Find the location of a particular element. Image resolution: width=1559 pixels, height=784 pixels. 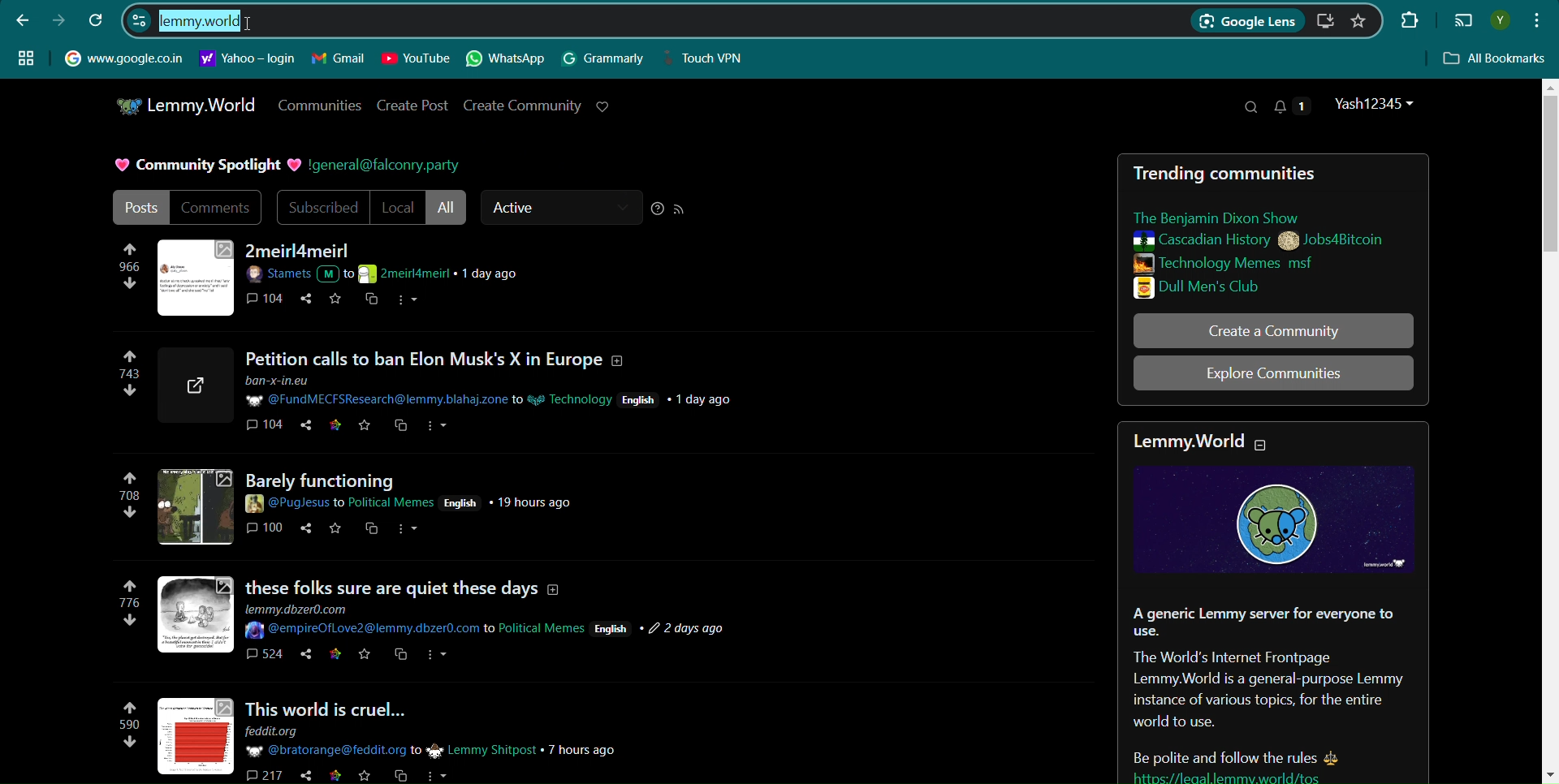

100 is located at coordinates (266, 532).